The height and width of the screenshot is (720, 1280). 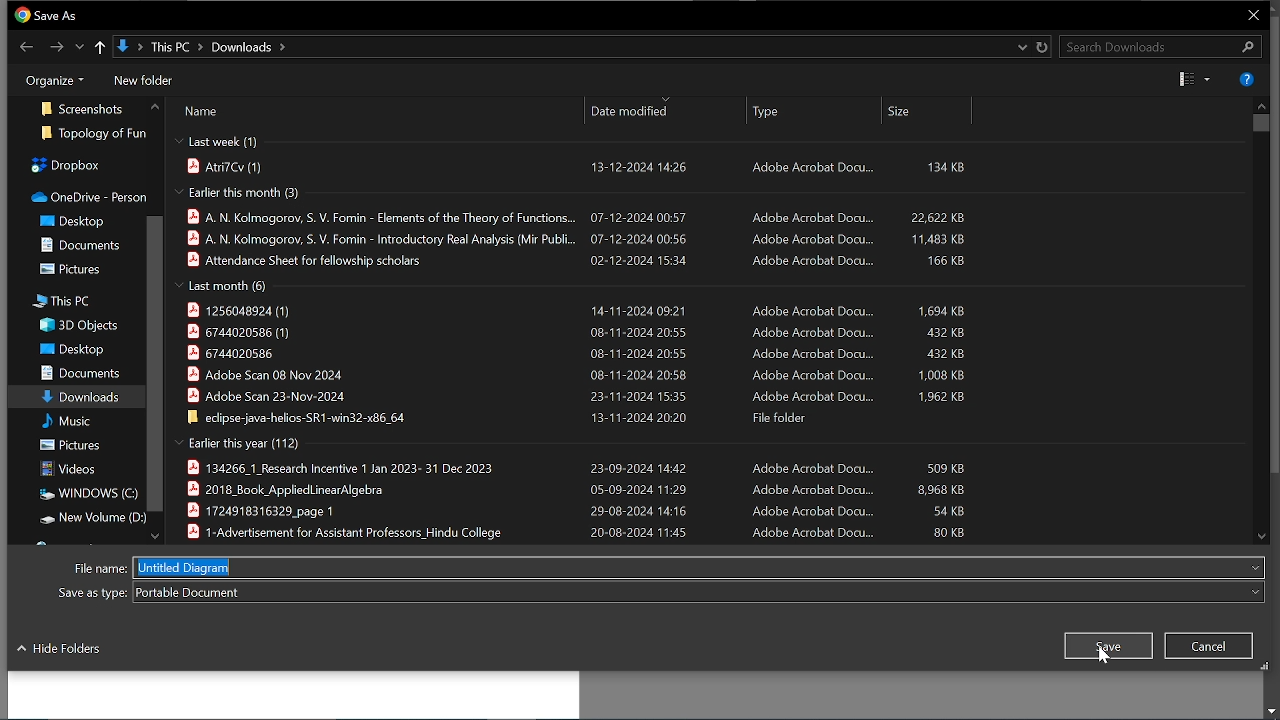 What do you see at coordinates (72, 352) in the screenshot?
I see `desktop` at bounding box center [72, 352].